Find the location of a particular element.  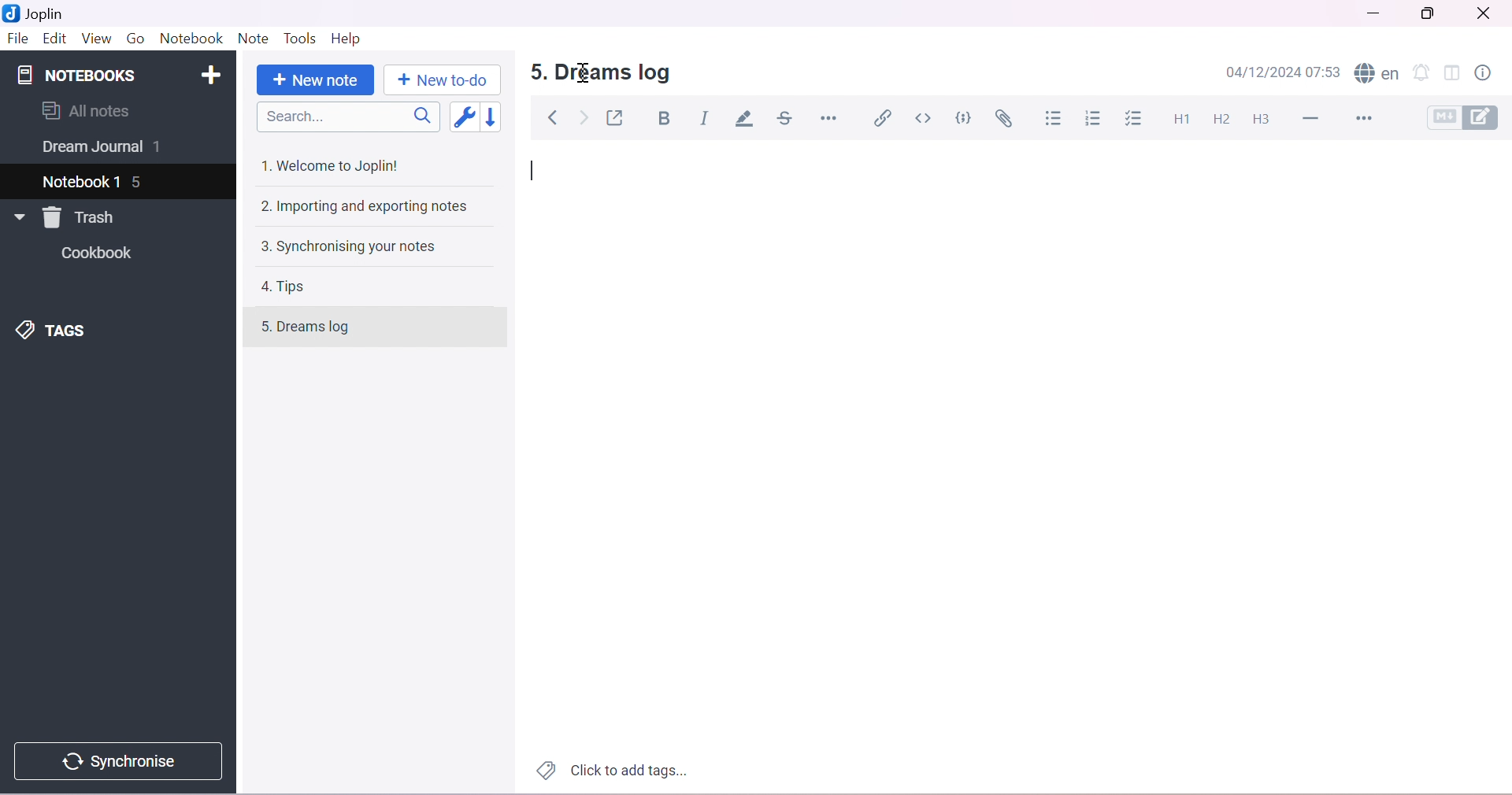

TAGS is located at coordinates (58, 329).